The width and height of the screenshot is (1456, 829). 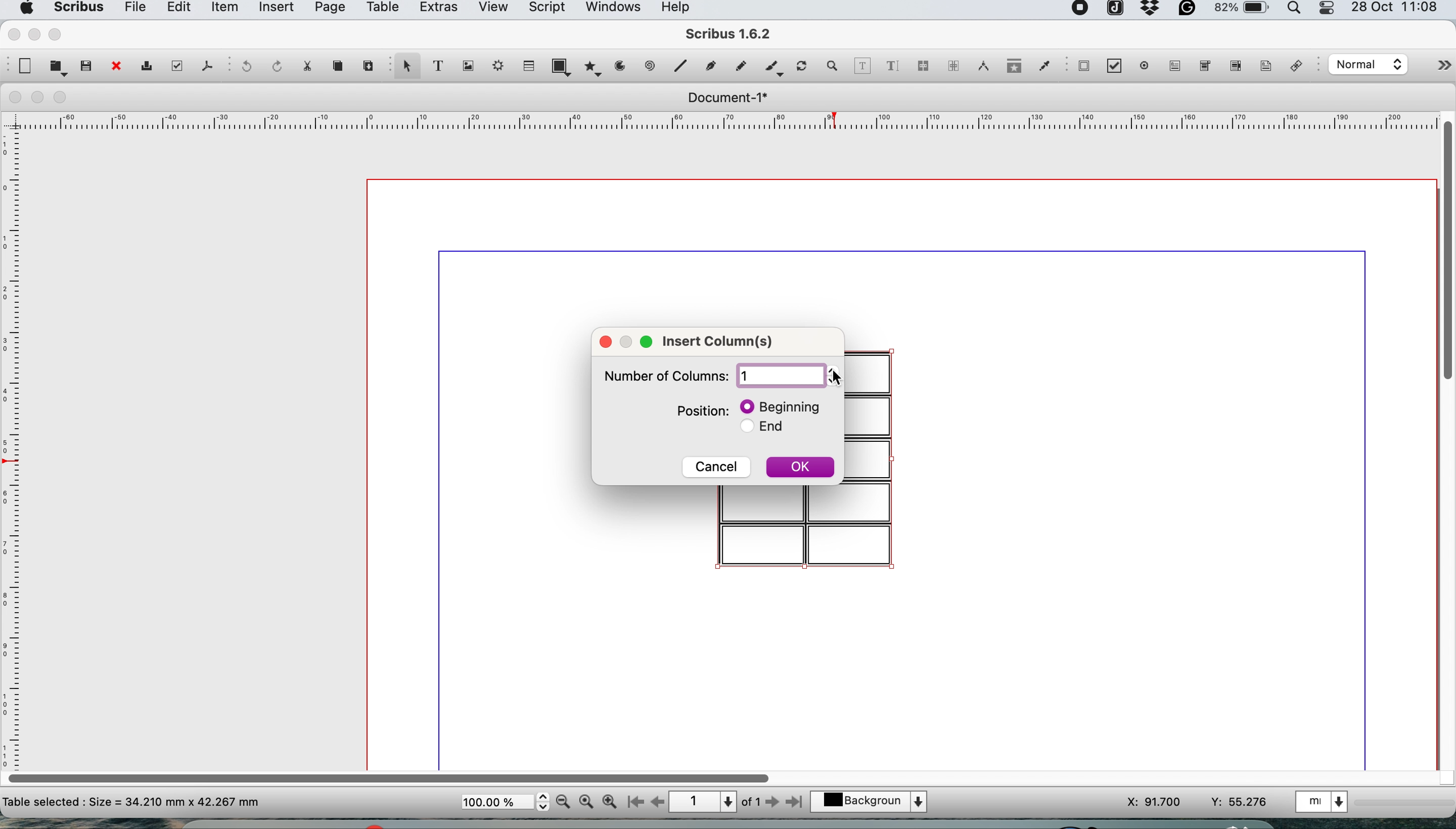 I want to click on grammarly, so click(x=1189, y=11).